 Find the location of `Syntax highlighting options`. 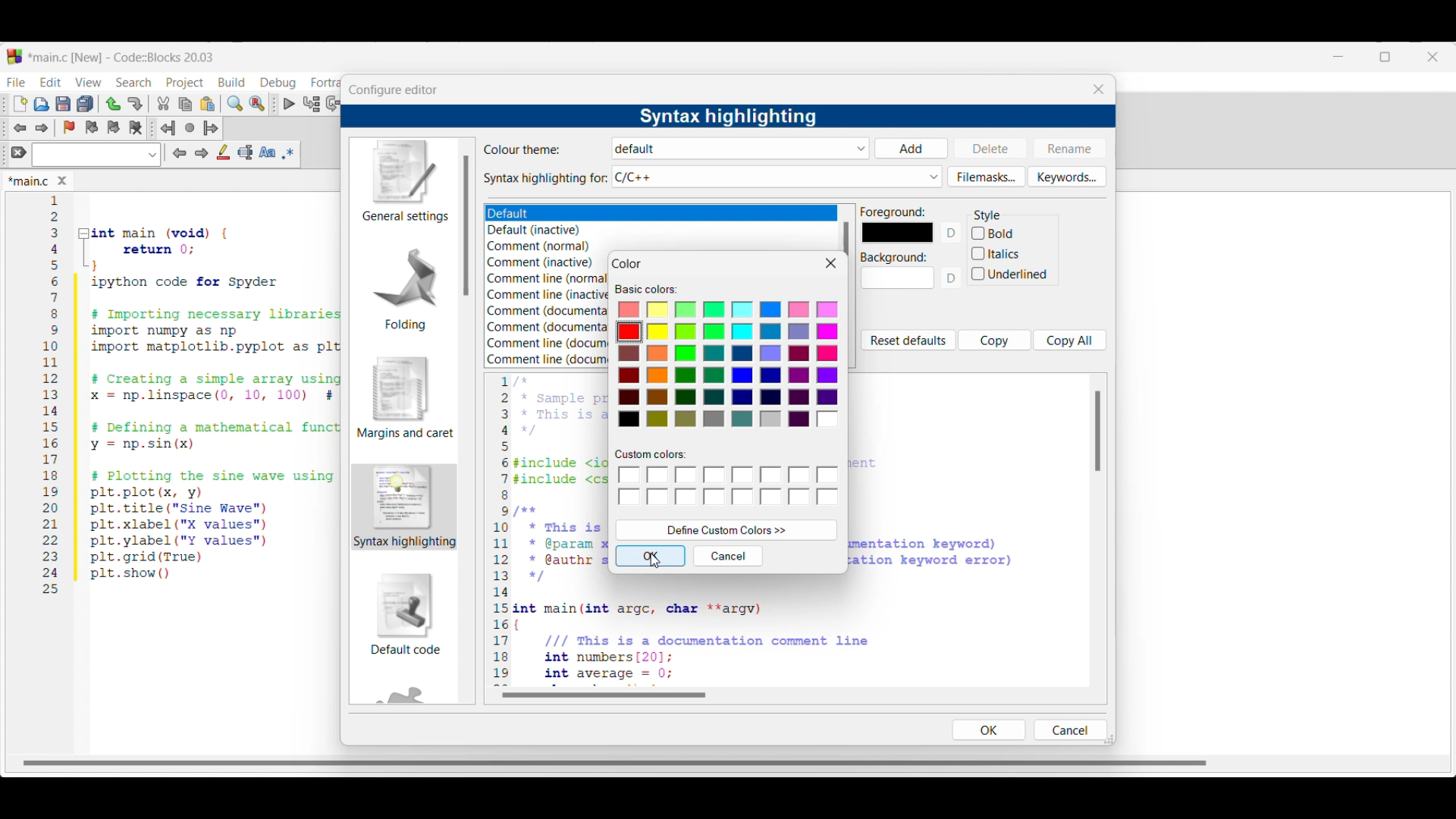

Syntax highlighting options is located at coordinates (777, 177).